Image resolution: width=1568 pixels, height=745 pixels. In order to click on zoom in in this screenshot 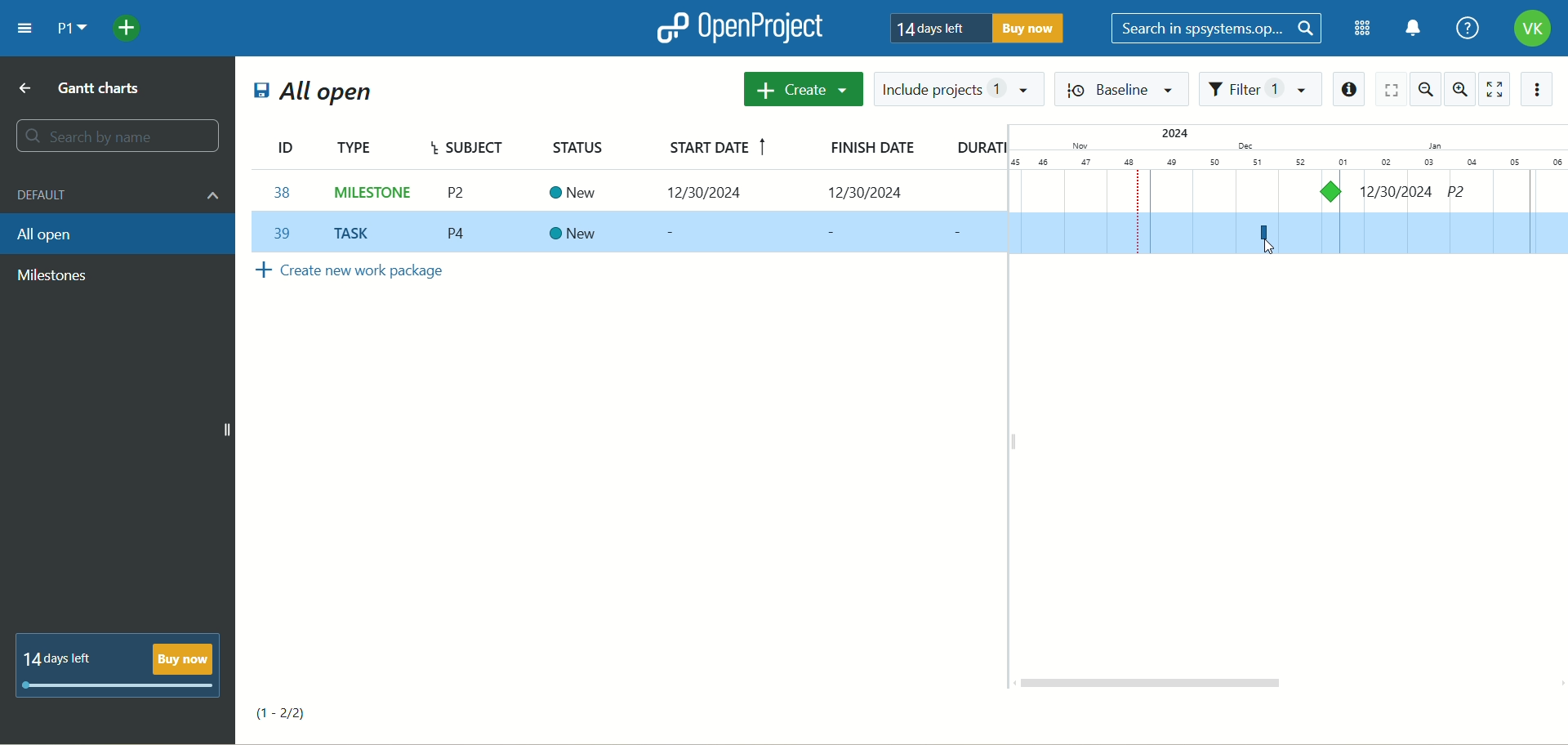, I will do `click(1459, 90)`.